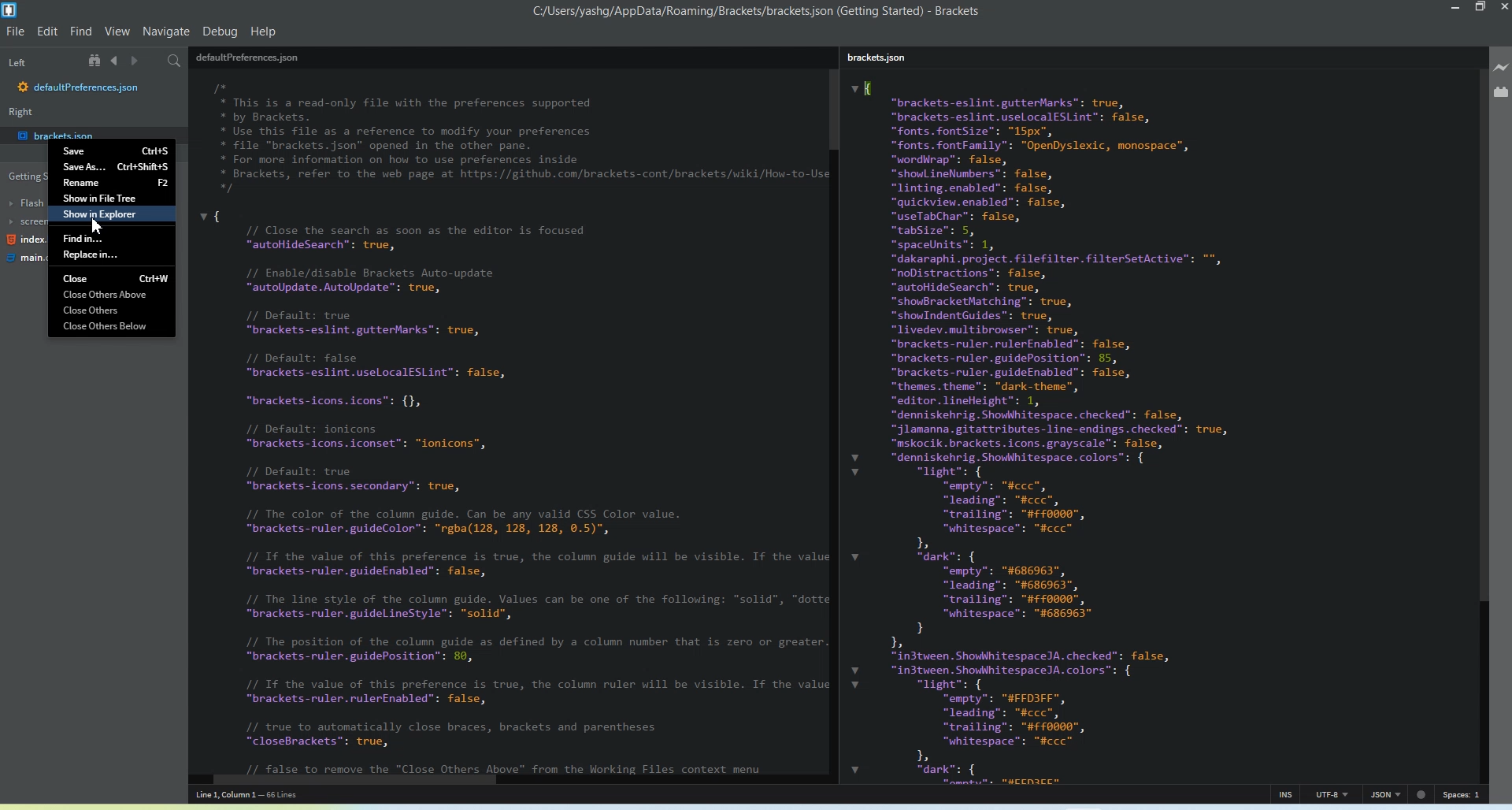 This screenshot has width=1512, height=810. I want to click on defaultpreferences.json, so click(80, 88).